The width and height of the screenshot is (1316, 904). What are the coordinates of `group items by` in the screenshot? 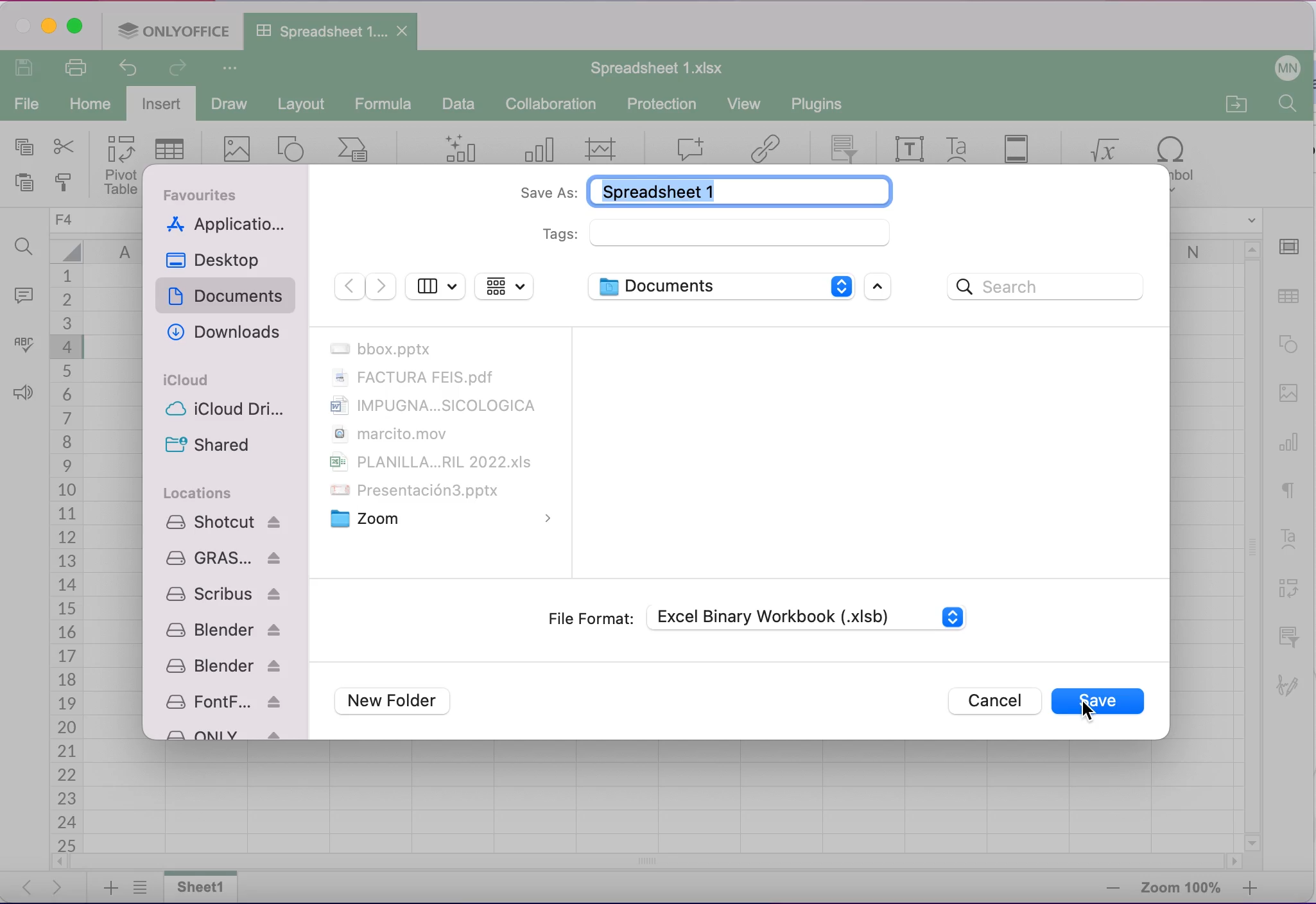 It's located at (505, 286).